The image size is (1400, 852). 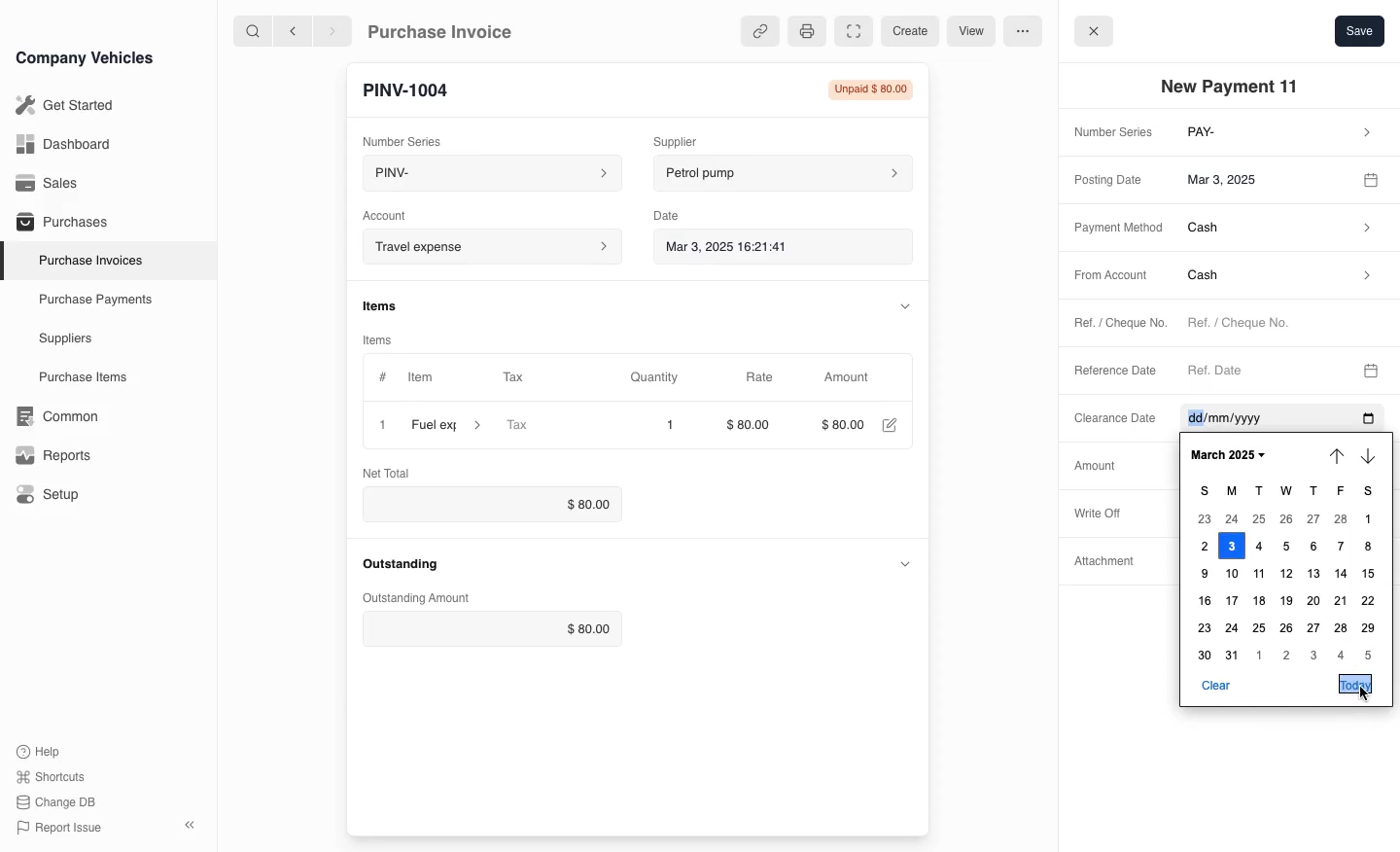 I want to click on edit, so click(x=889, y=427).